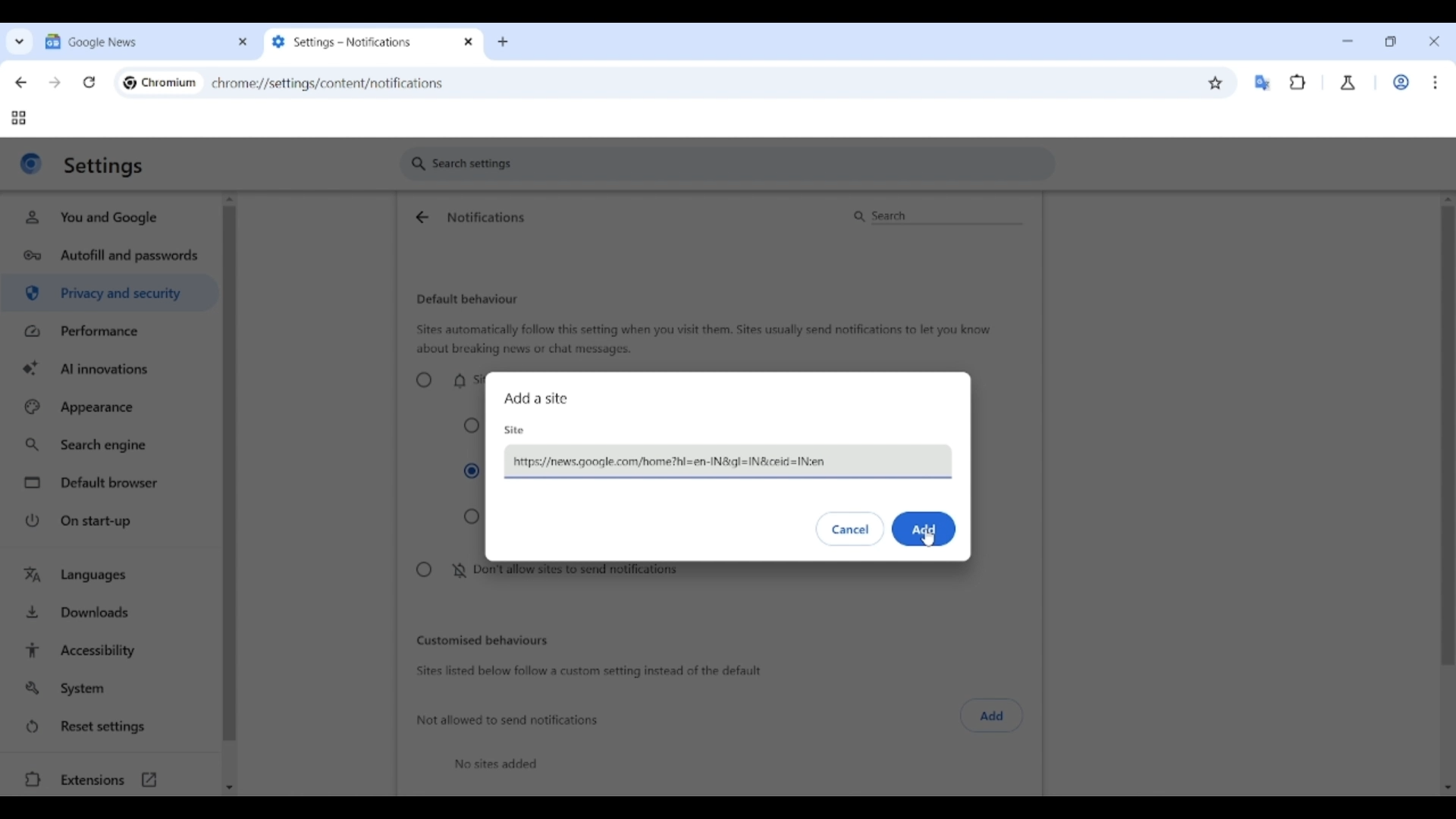 This screenshot has width=1456, height=819. What do you see at coordinates (1448, 199) in the screenshot?
I see `Quick slide to top` at bounding box center [1448, 199].